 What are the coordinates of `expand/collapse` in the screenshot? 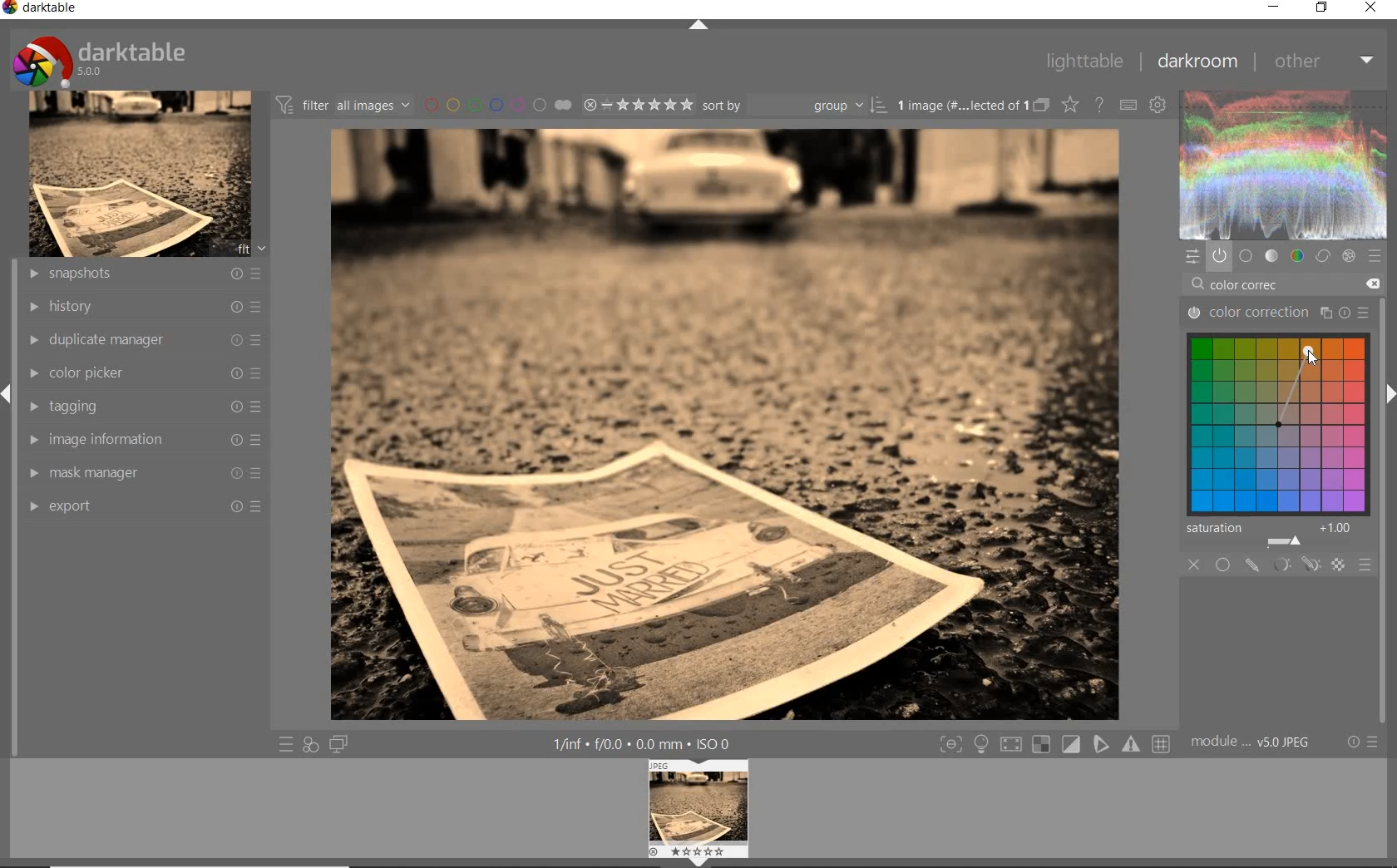 It's located at (698, 27).